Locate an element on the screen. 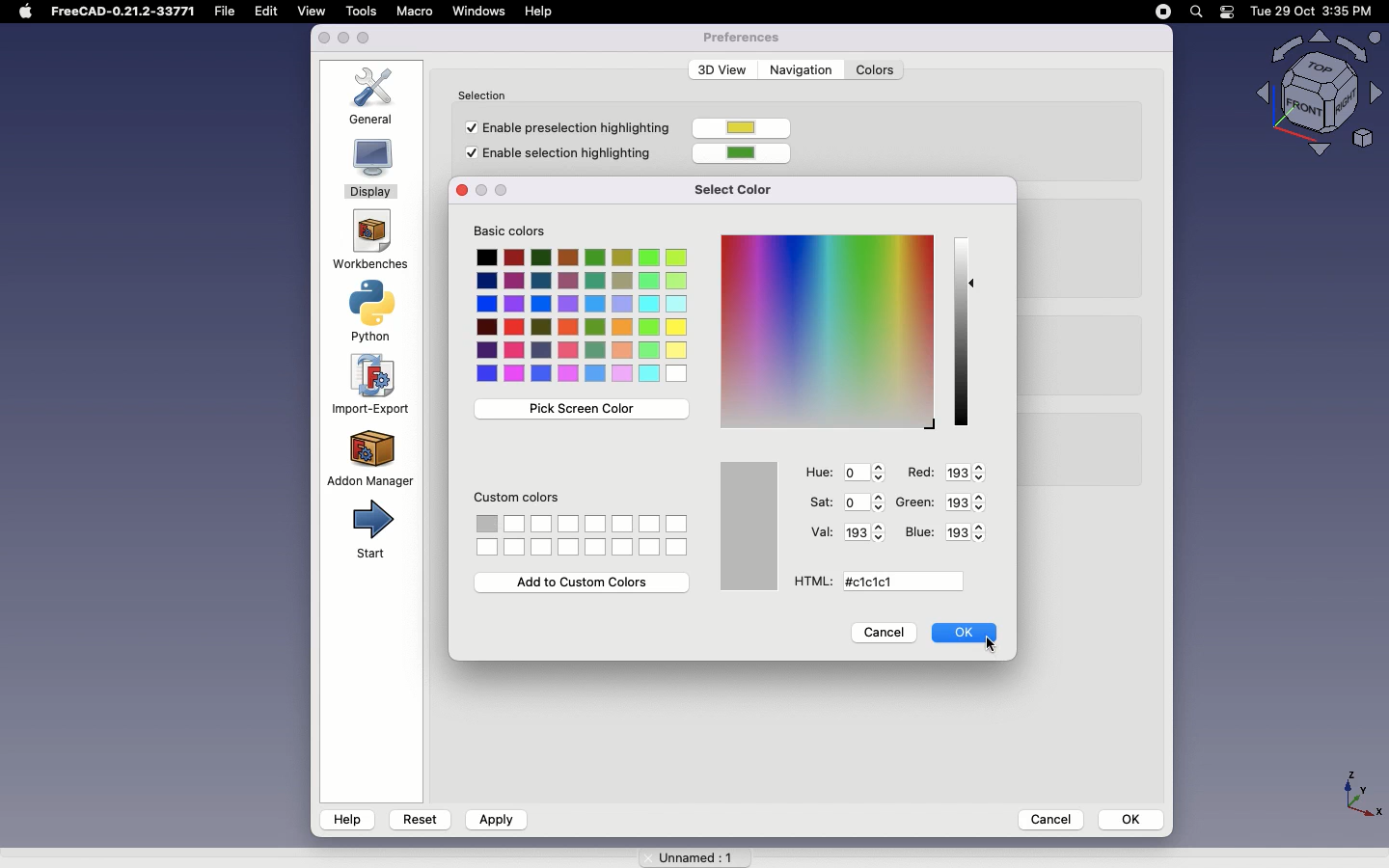  193 is located at coordinates (862, 532).